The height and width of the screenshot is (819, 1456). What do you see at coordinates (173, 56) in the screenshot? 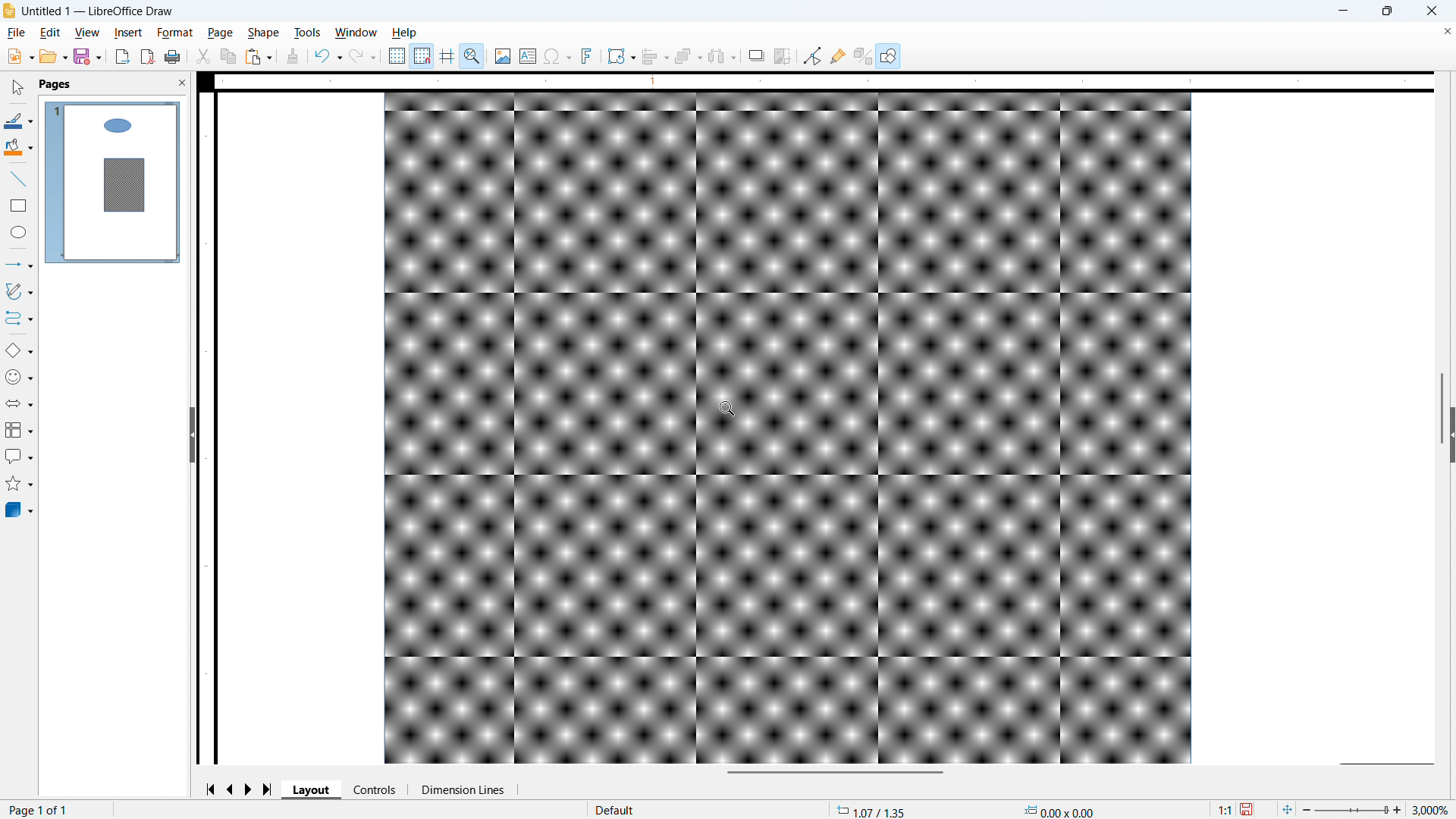
I see `Print ` at bounding box center [173, 56].